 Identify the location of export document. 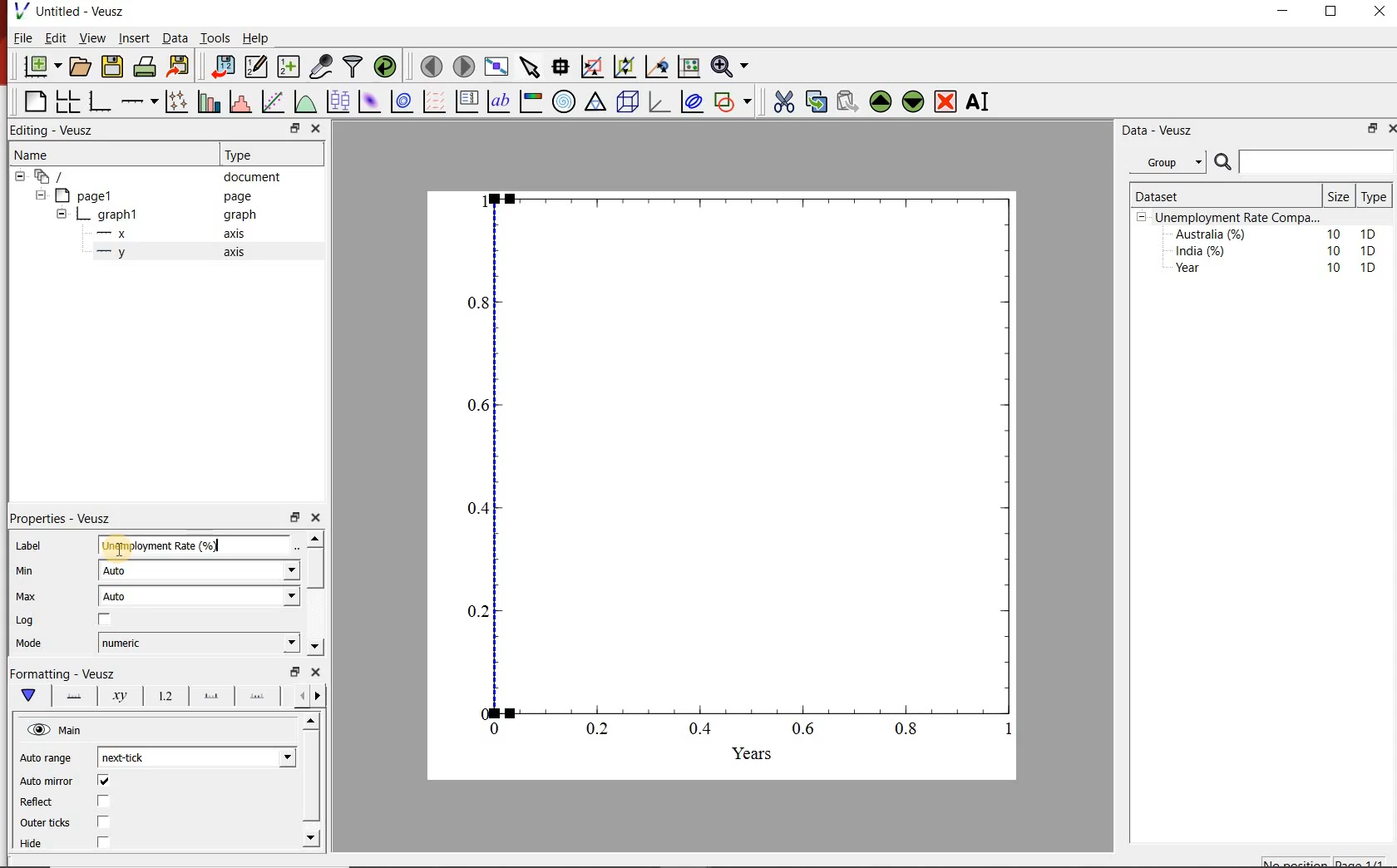
(180, 65).